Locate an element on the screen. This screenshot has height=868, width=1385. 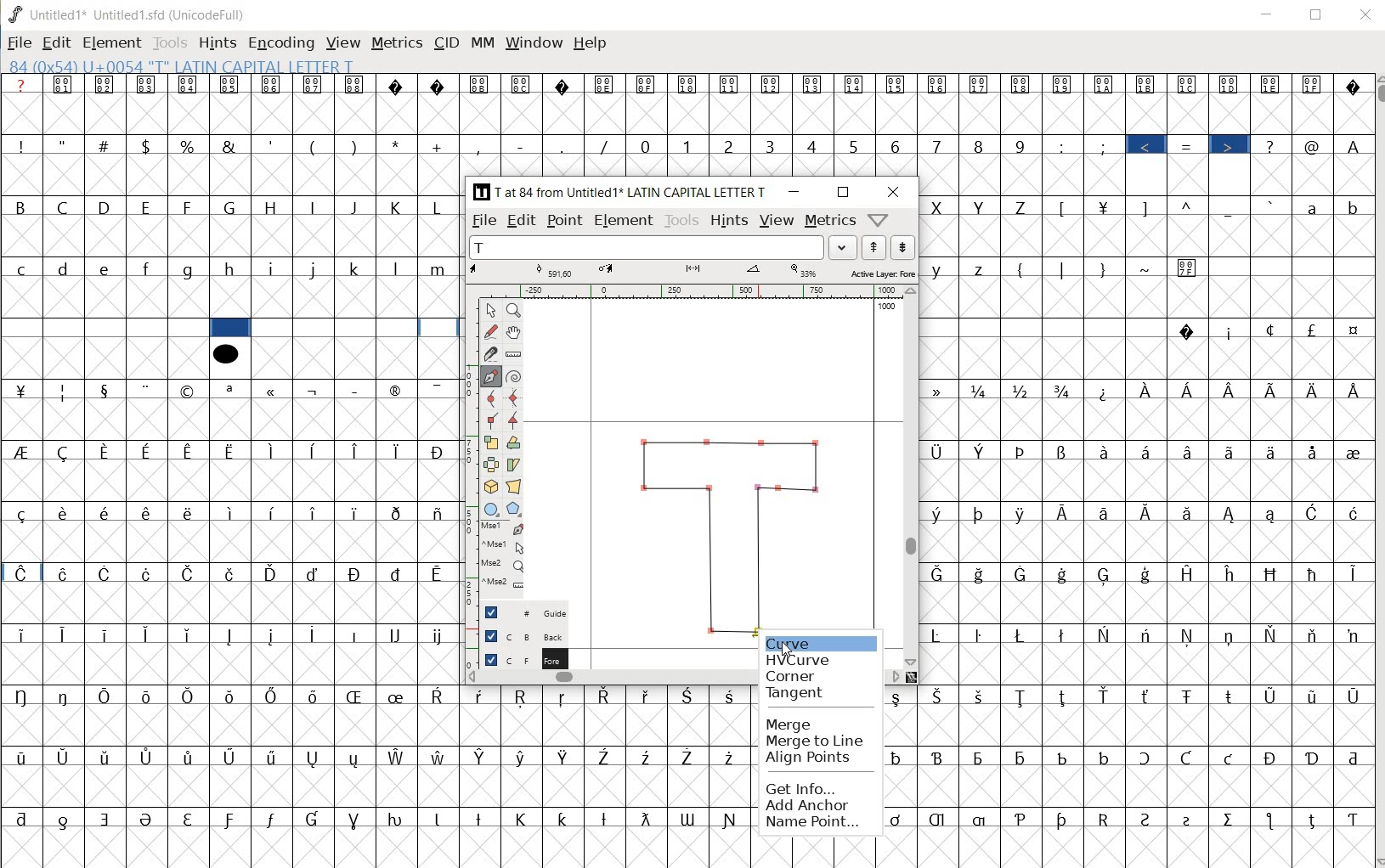
i is located at coordinates (274, 268).